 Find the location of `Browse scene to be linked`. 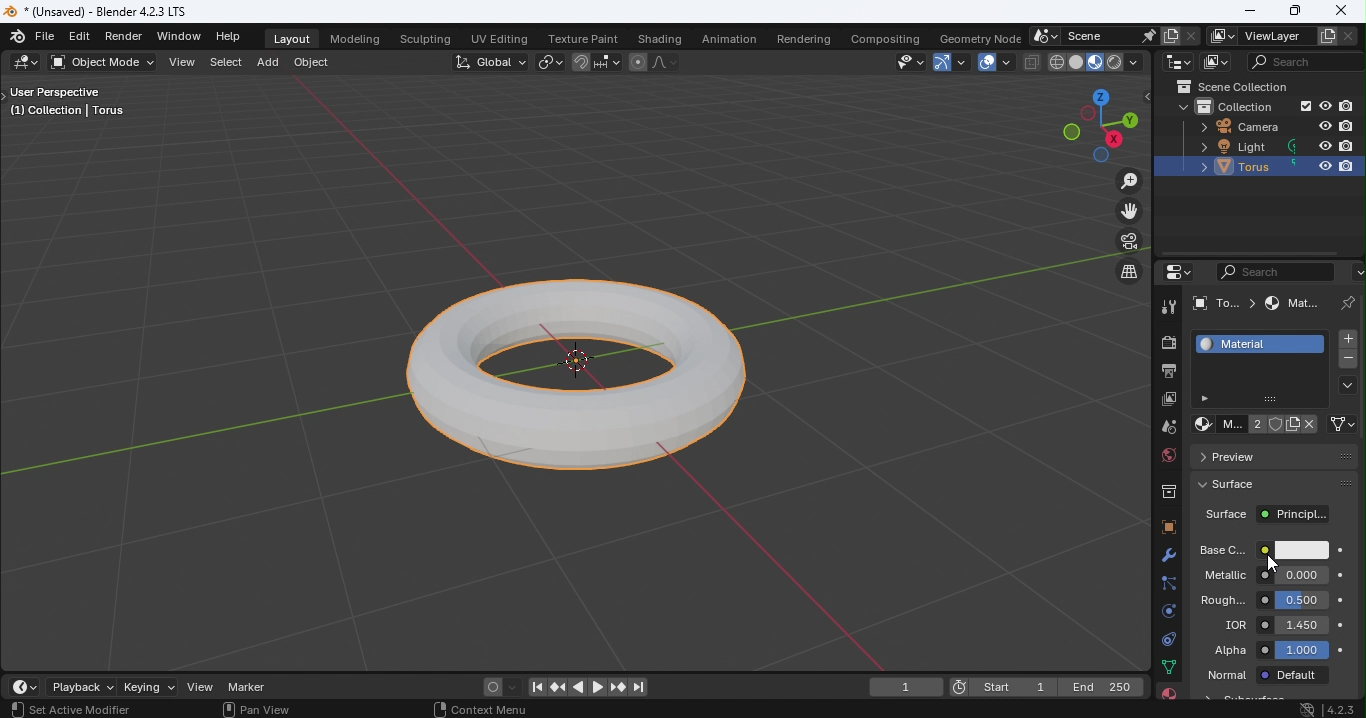

Browse scene to be linked is located at coordinates (1044, 36).